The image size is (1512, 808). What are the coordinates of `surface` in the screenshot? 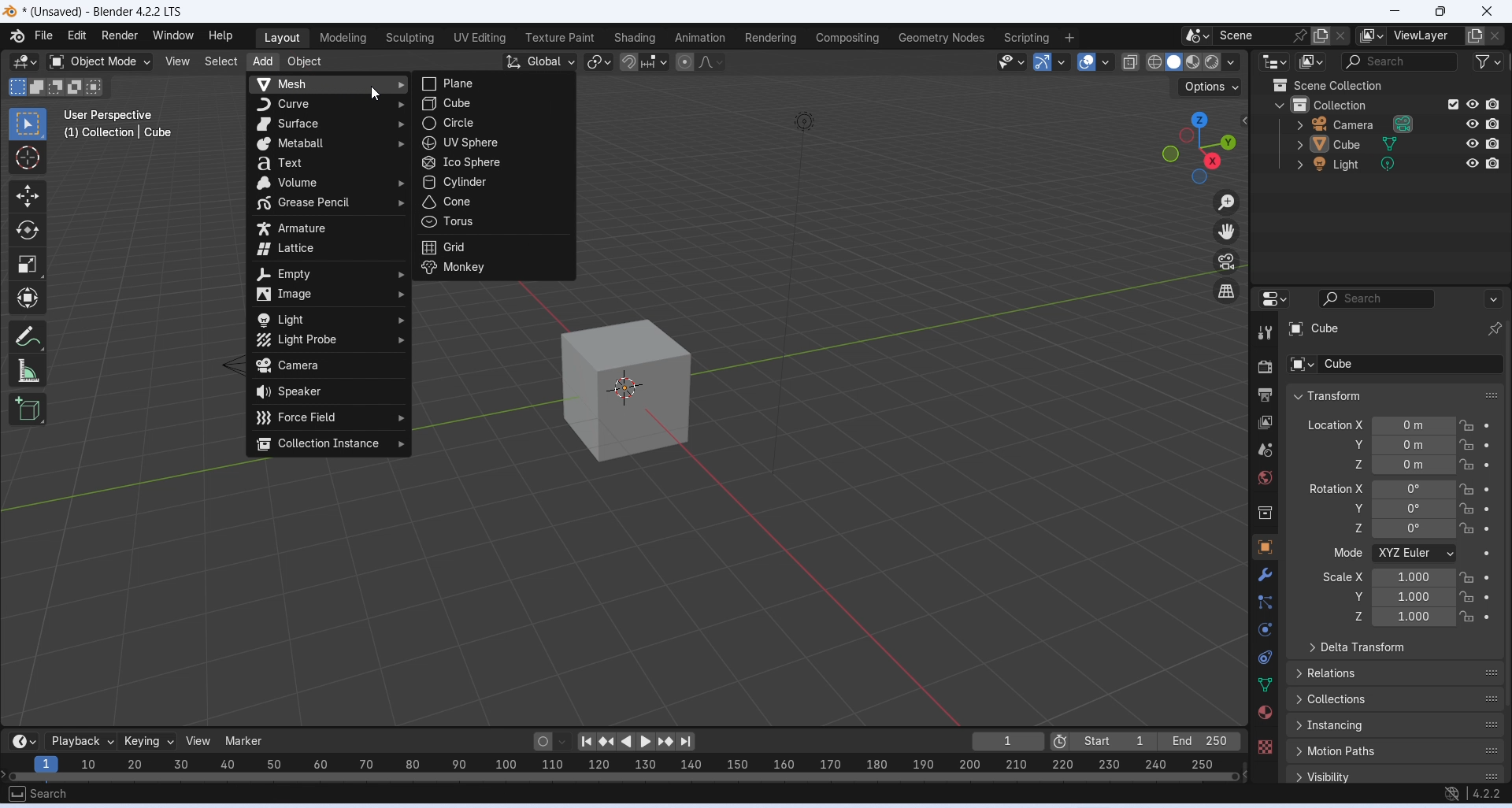 It's located at (329, 125).